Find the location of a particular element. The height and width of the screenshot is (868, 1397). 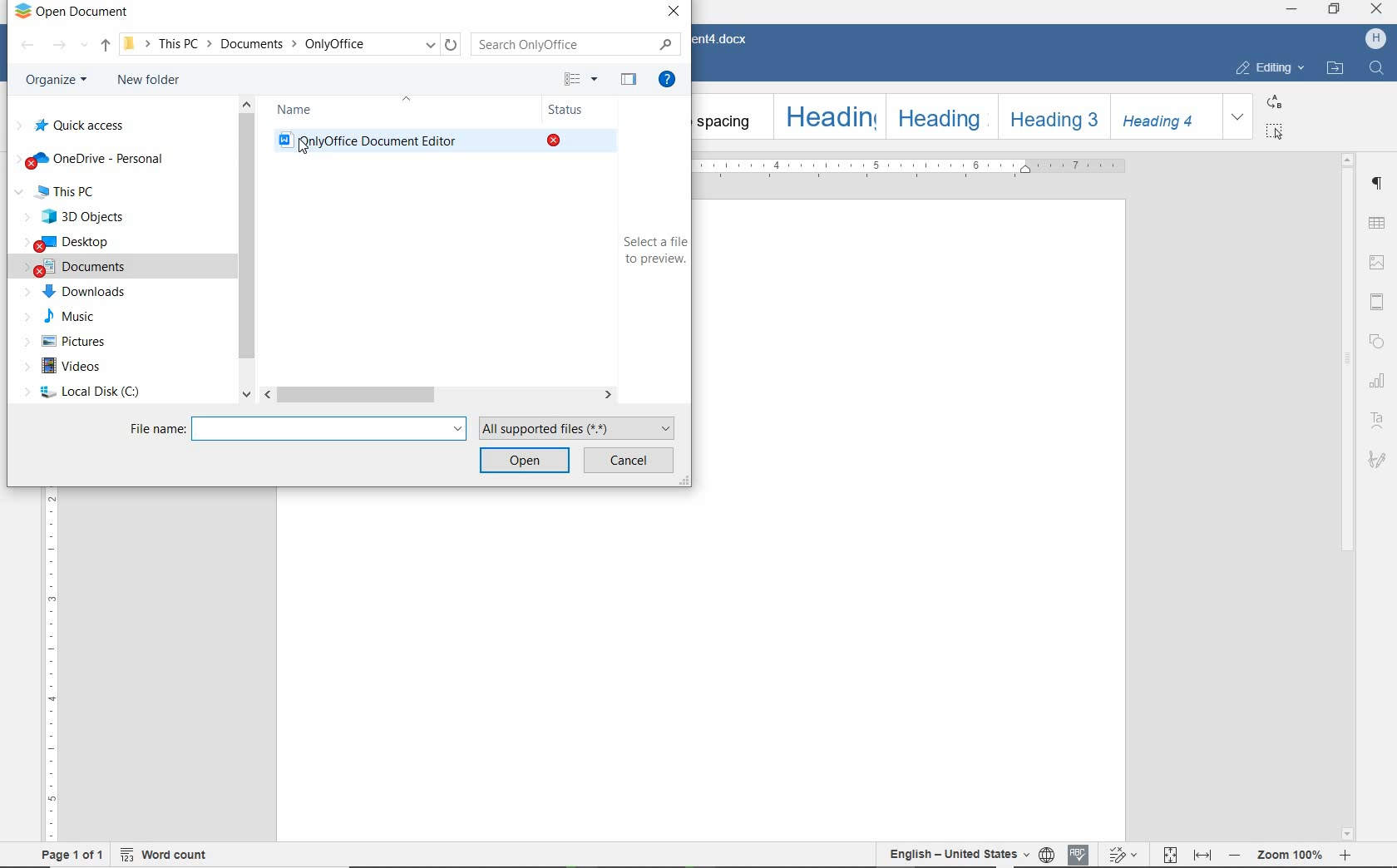

Paragraph settings is located at coordinates (1379, 184).